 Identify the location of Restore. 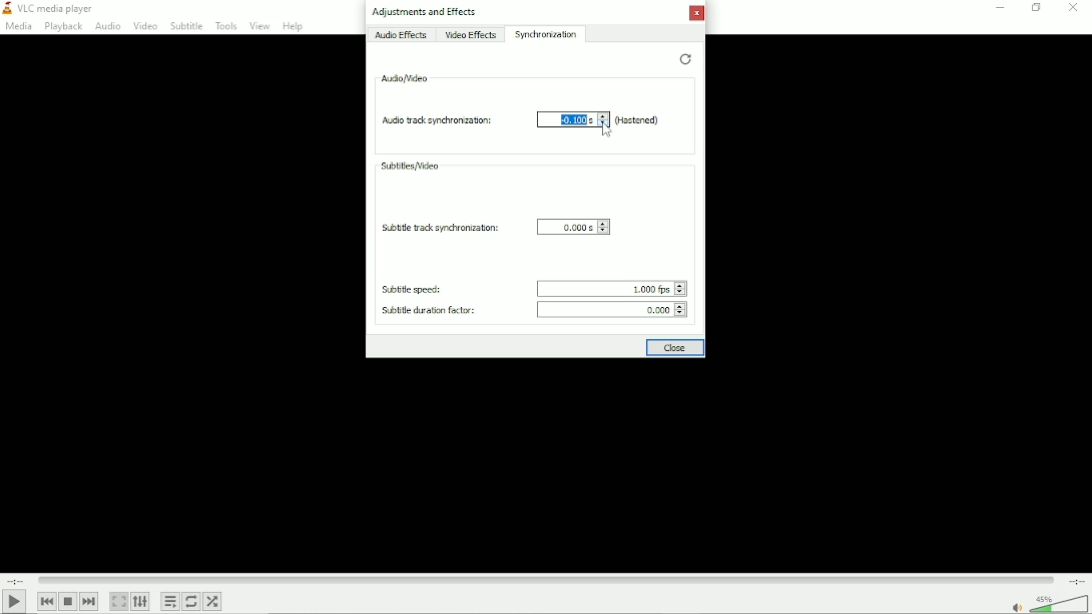
(685, 59).